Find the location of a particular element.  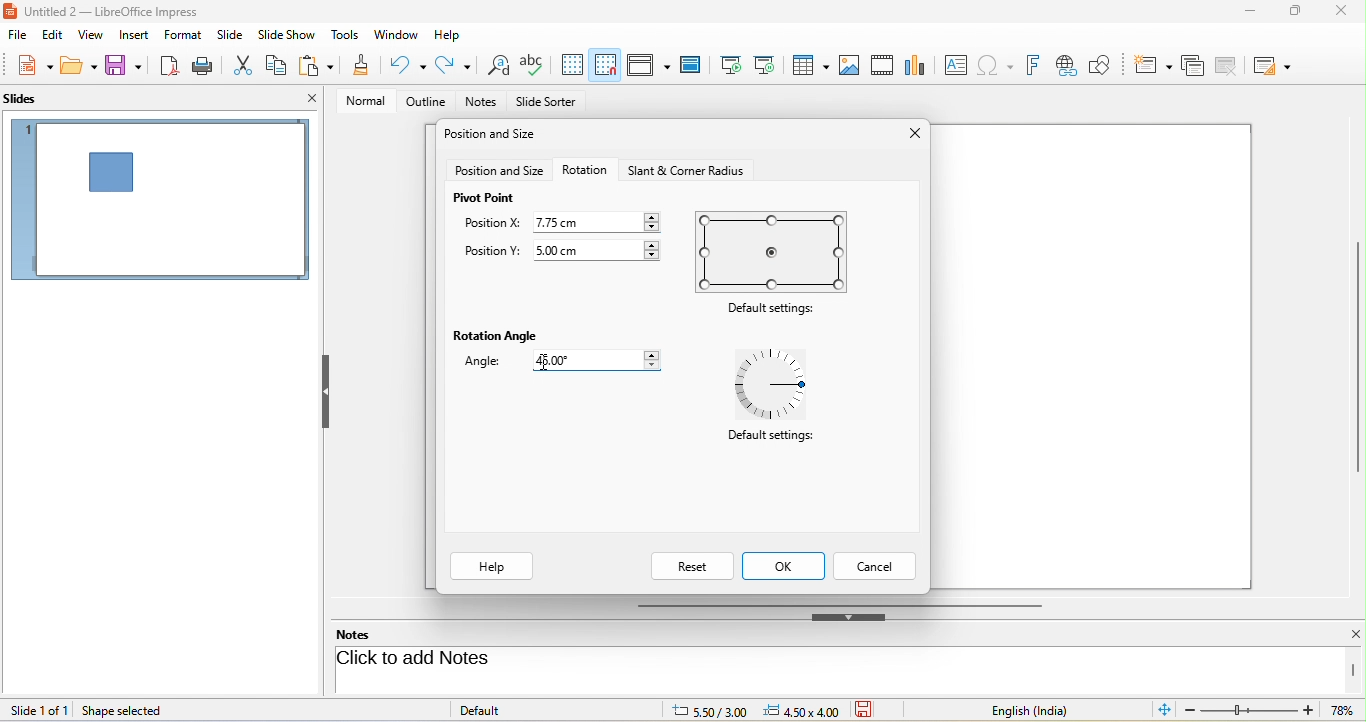

pivot point is located at coordinates (485, 198).